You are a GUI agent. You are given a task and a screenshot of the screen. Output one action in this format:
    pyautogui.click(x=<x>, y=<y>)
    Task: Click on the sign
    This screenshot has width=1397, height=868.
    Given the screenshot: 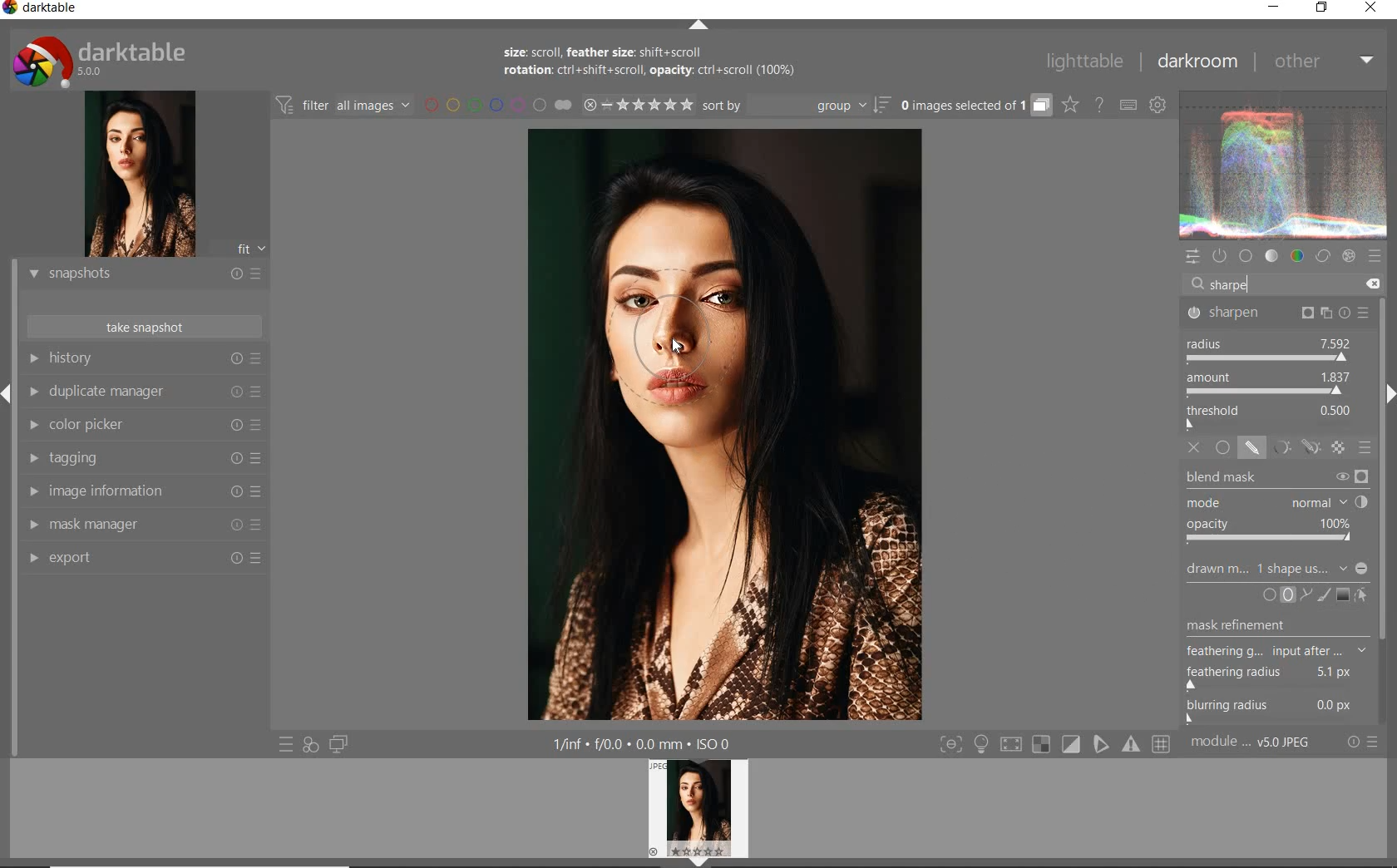 What is the action you would take?
    pyautogui.click(x=1103, y=745)
    